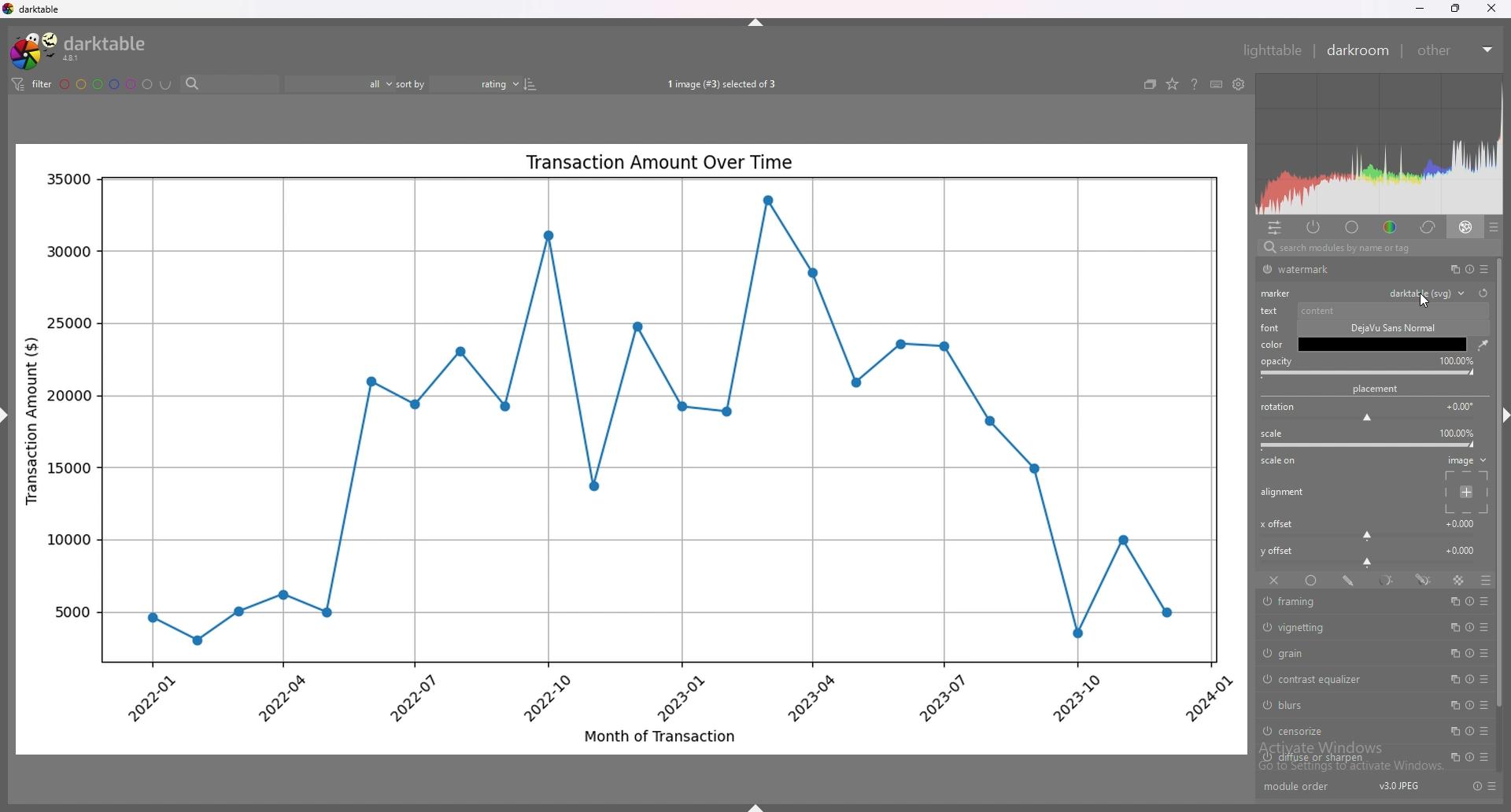 The width and height of the screenshot is (1511, 812). I want to click on x offset bar, so click(1369, 536).